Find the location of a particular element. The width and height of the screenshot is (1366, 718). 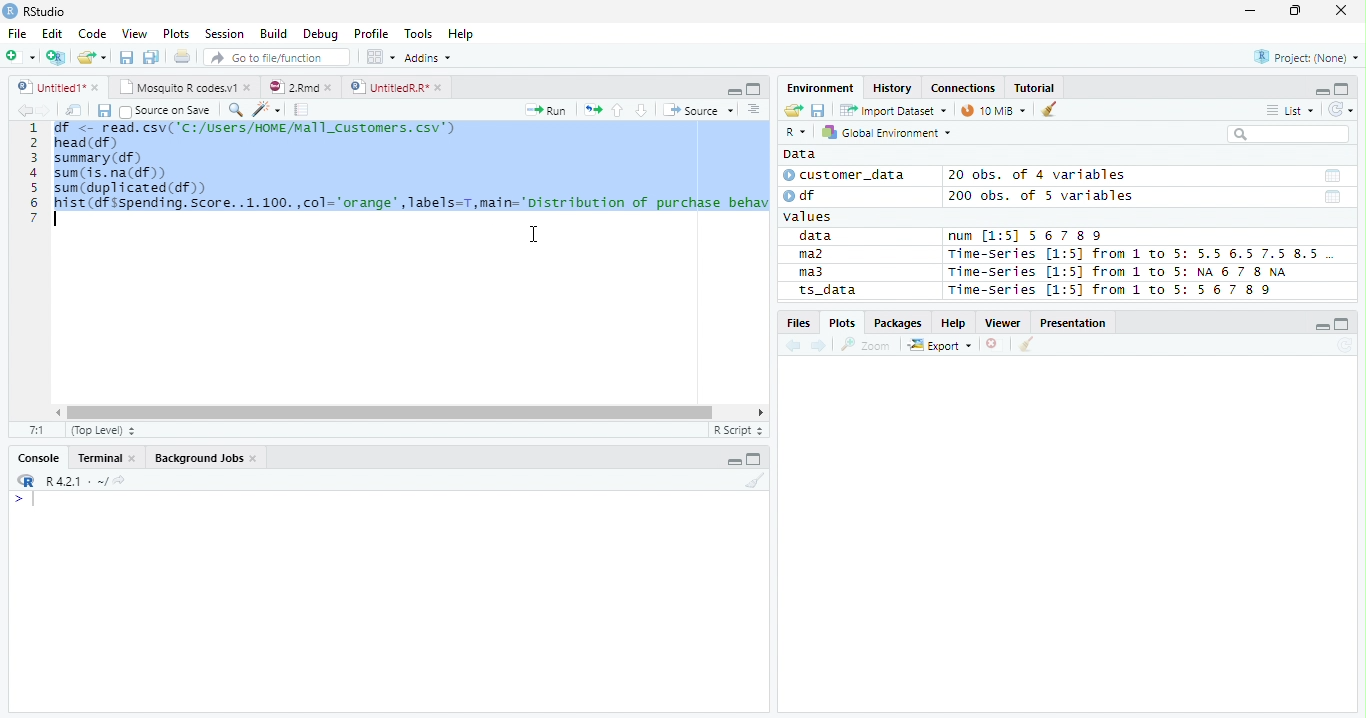

Plots is located at coordinates (842, 322).